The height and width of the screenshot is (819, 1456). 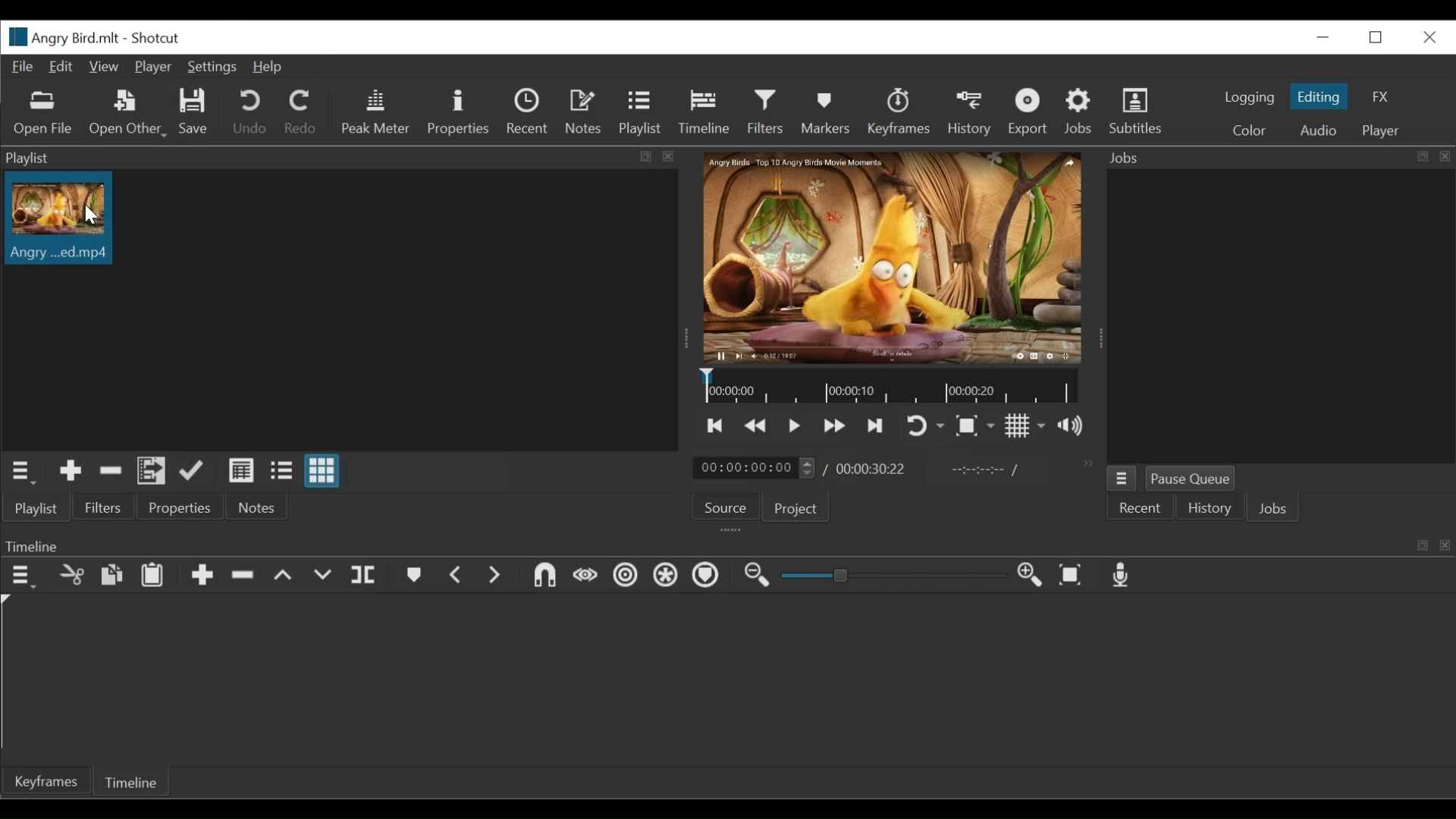 I want to click on History, so click(x=968, y=113).